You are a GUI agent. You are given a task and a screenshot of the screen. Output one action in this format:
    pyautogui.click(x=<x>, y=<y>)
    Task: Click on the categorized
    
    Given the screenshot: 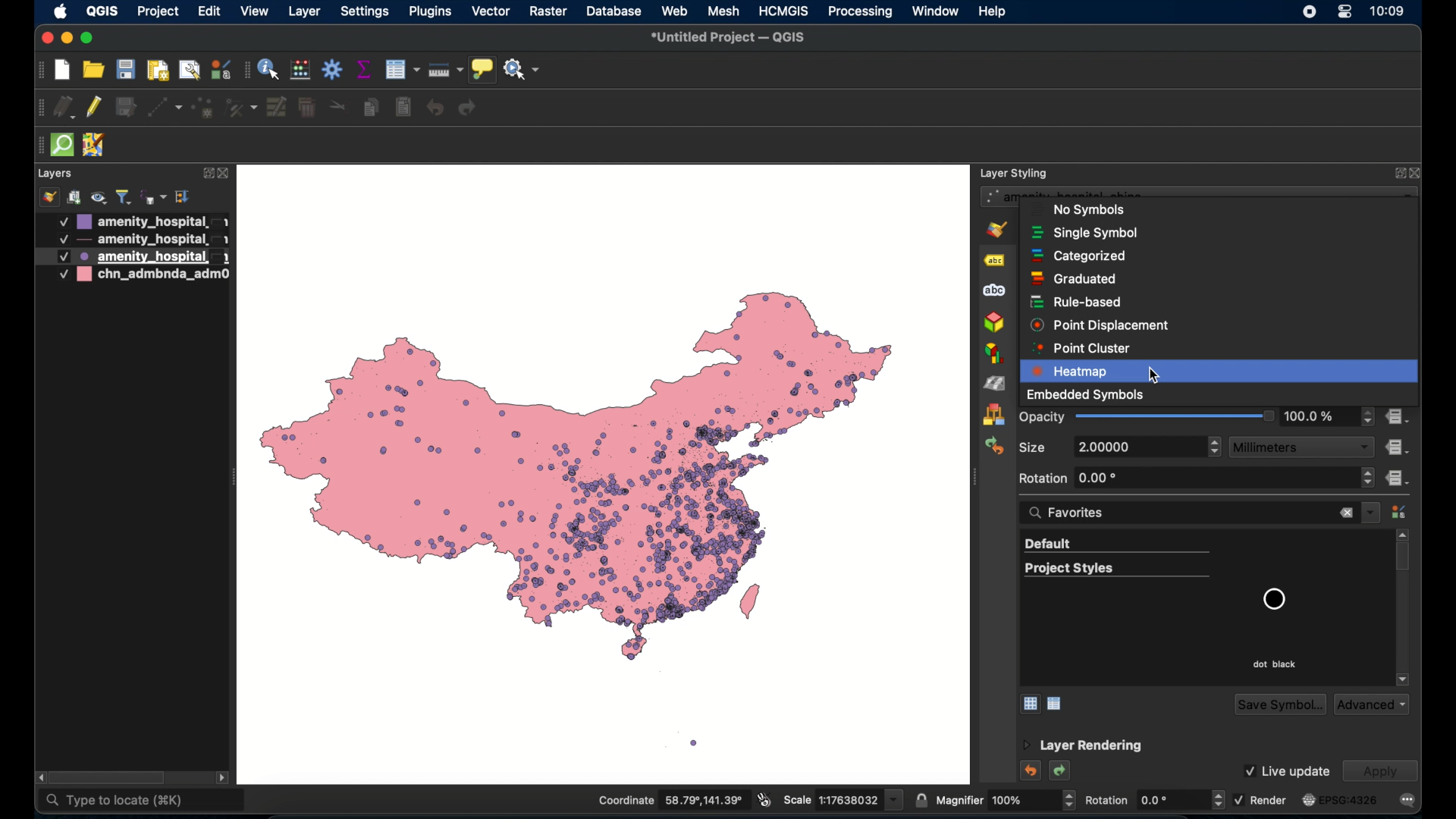 What is the action you would take?
    pyautogui.click(x=1080, y=256)
    